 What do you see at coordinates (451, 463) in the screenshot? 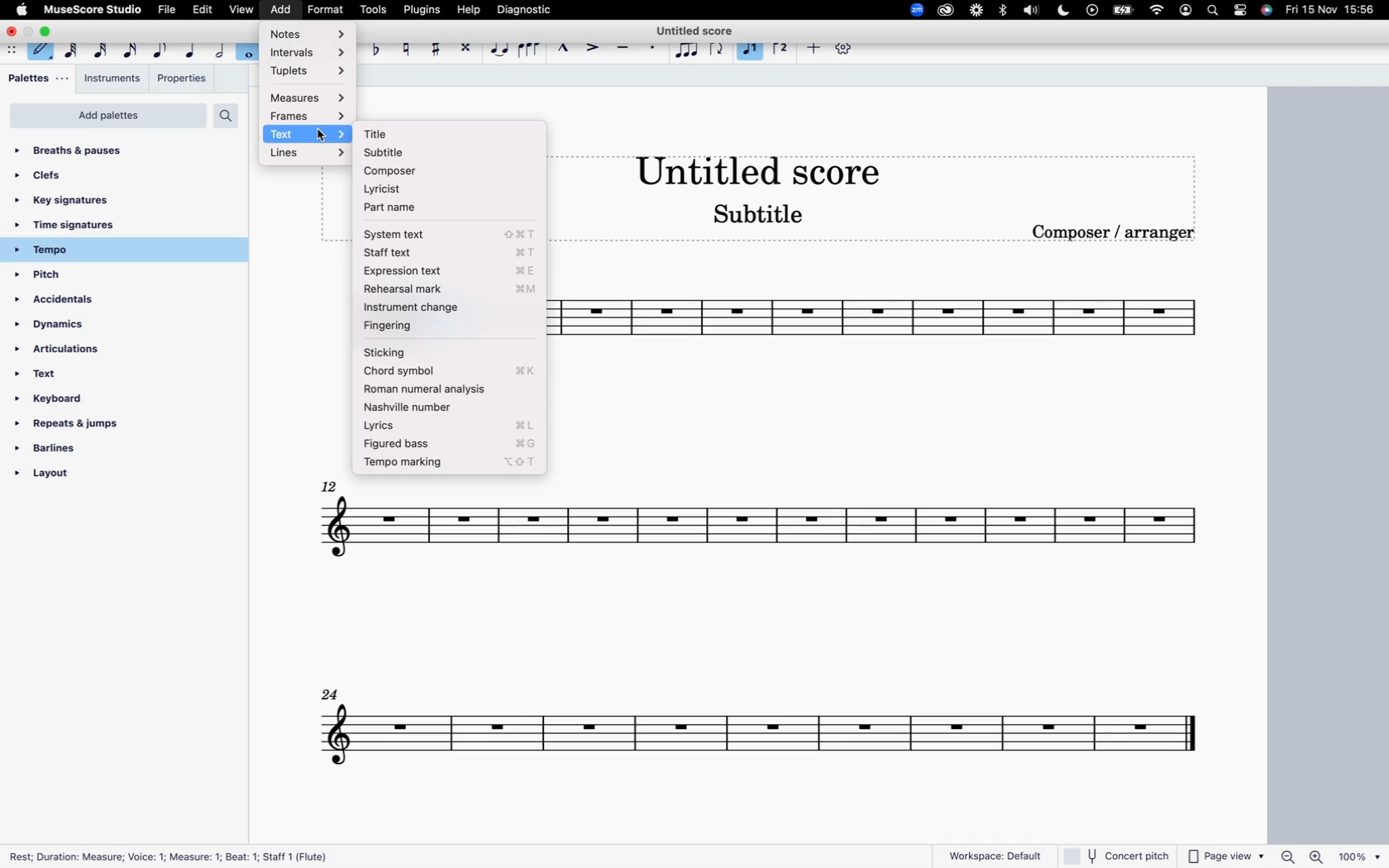
I see `tempo marking` at bounding box center [451, 463].